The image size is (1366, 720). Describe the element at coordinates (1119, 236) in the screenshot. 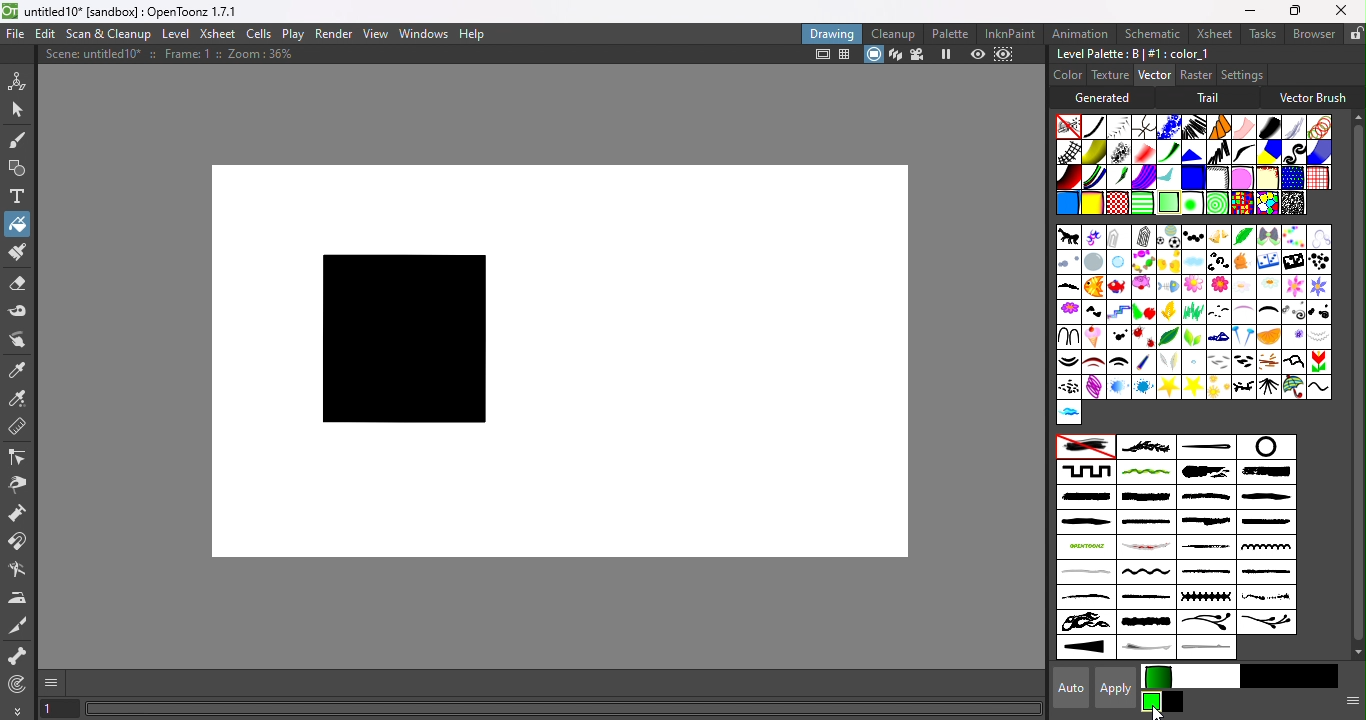

I see `atta` at that location.